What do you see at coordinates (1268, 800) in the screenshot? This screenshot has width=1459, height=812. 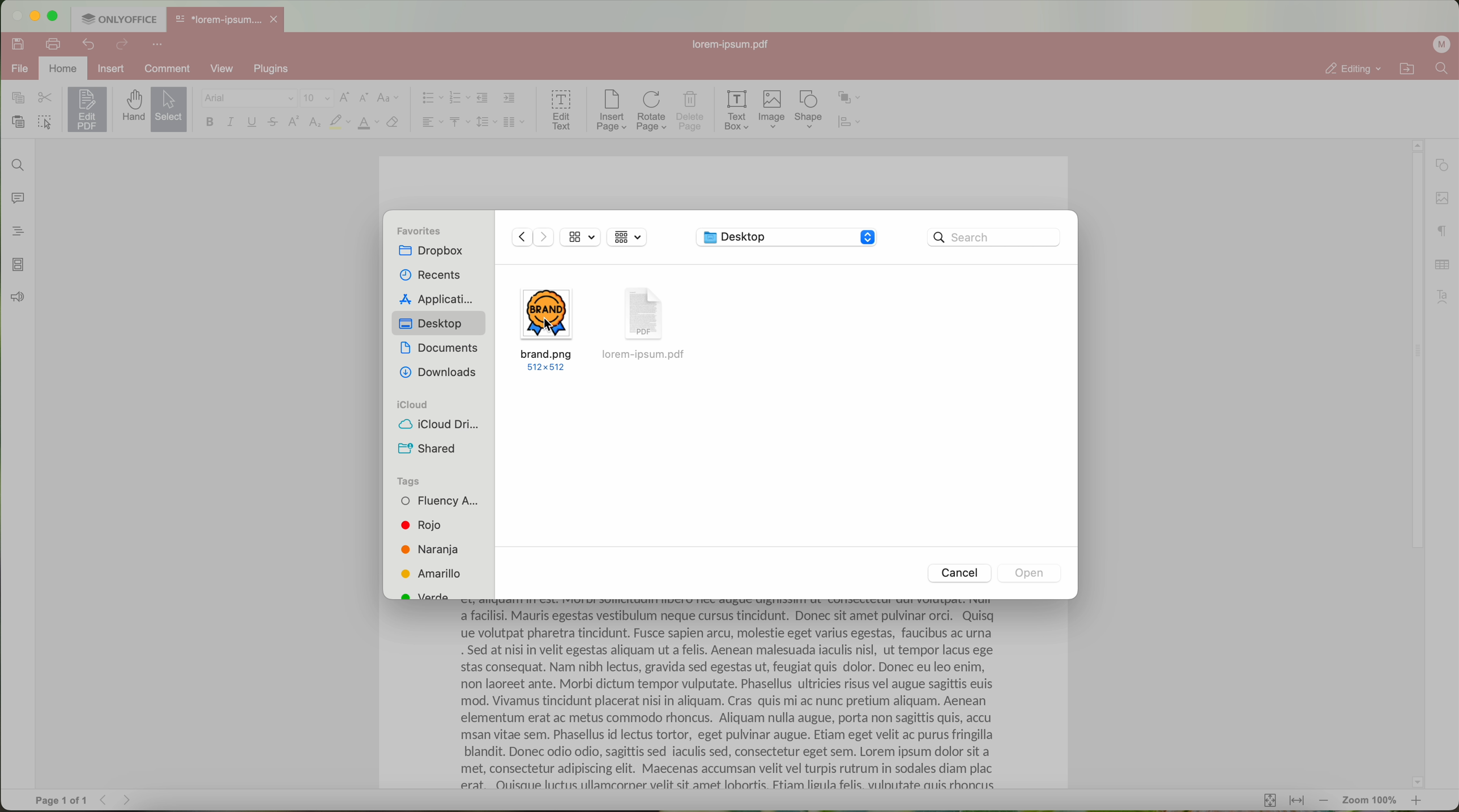 I see `fit to page` at bounding box center [1268, 800].